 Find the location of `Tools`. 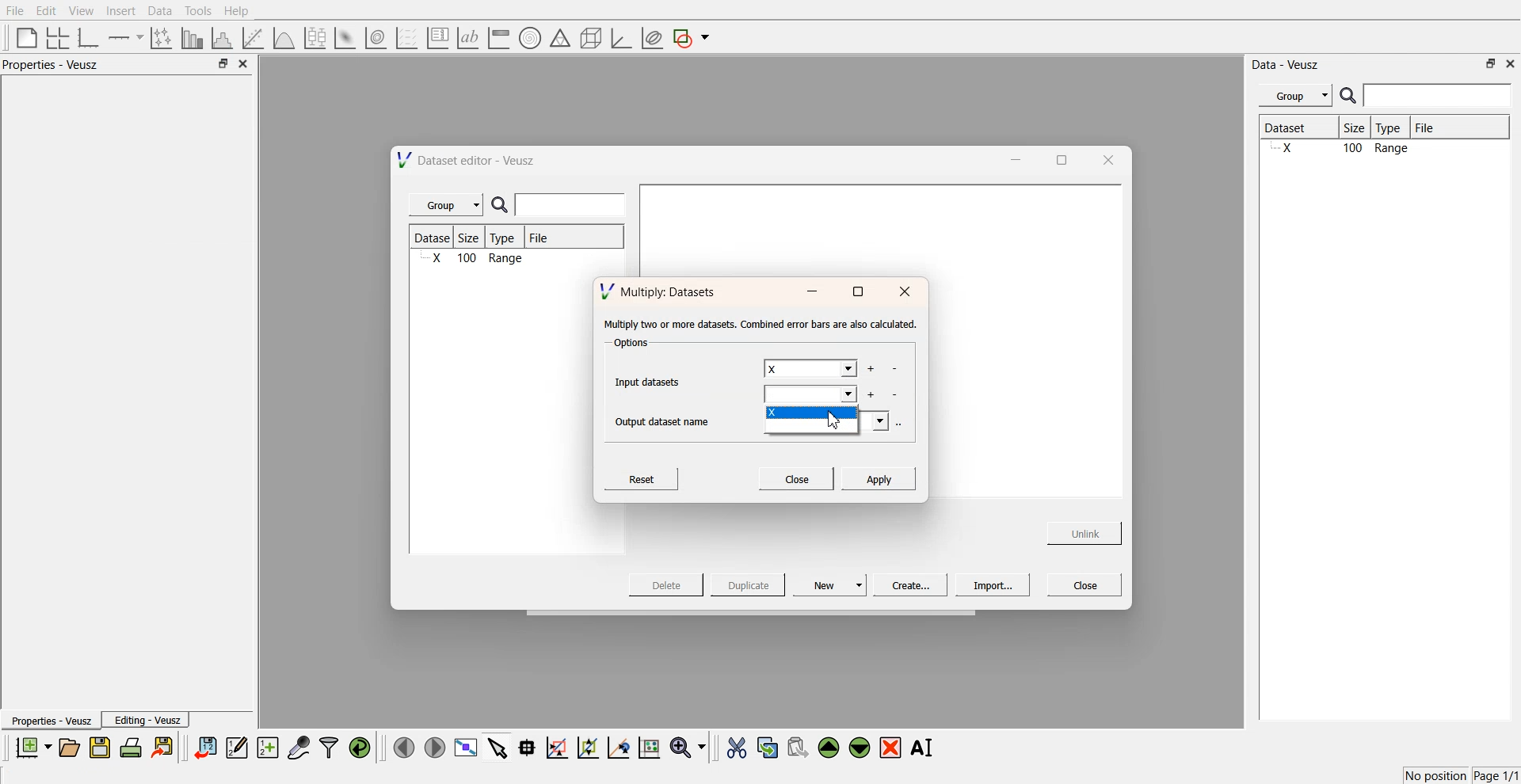

Tools is located at coordinates (196, 10).